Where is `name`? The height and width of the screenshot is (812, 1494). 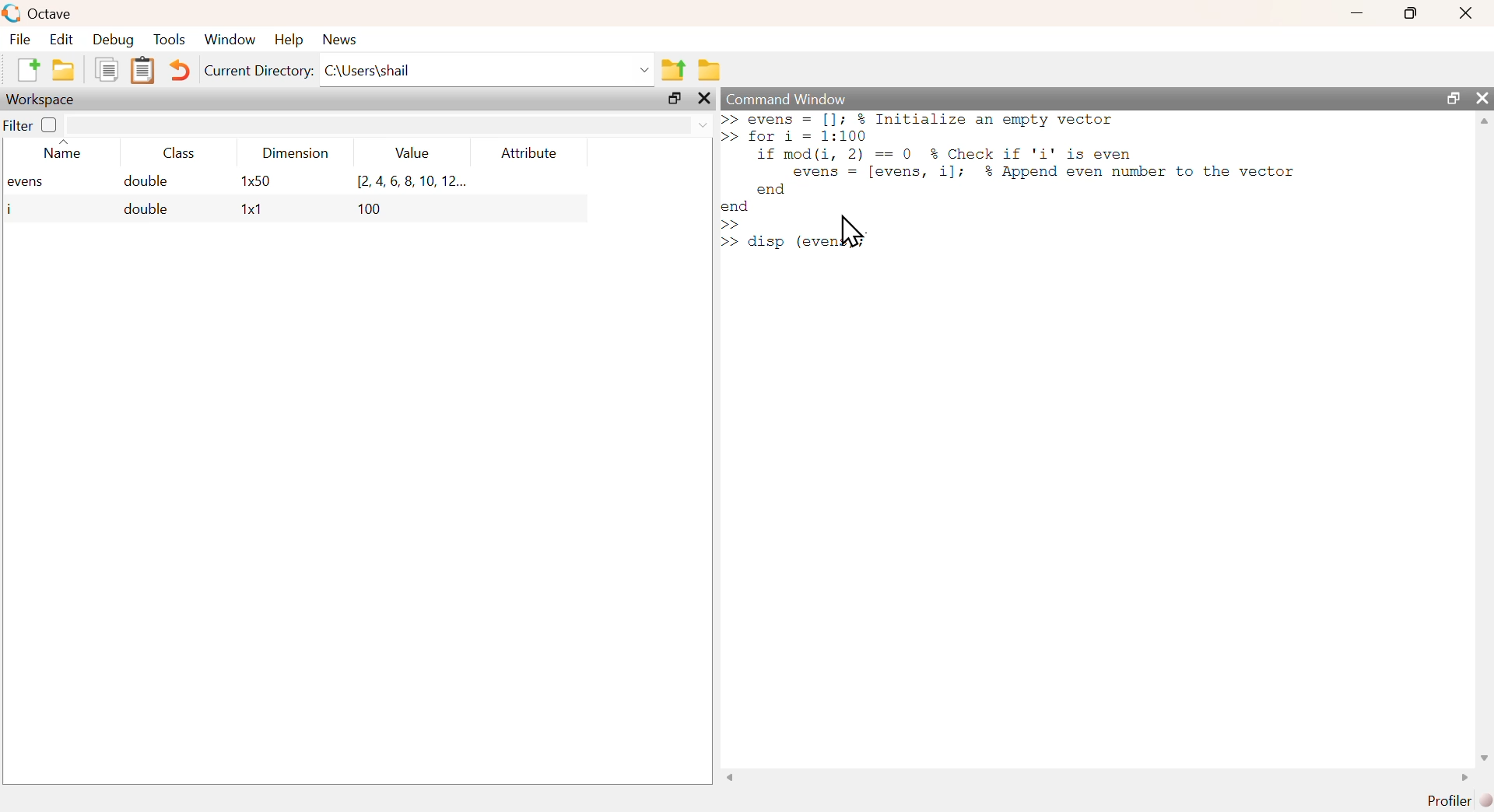 name is located at coordinates (55, 153).